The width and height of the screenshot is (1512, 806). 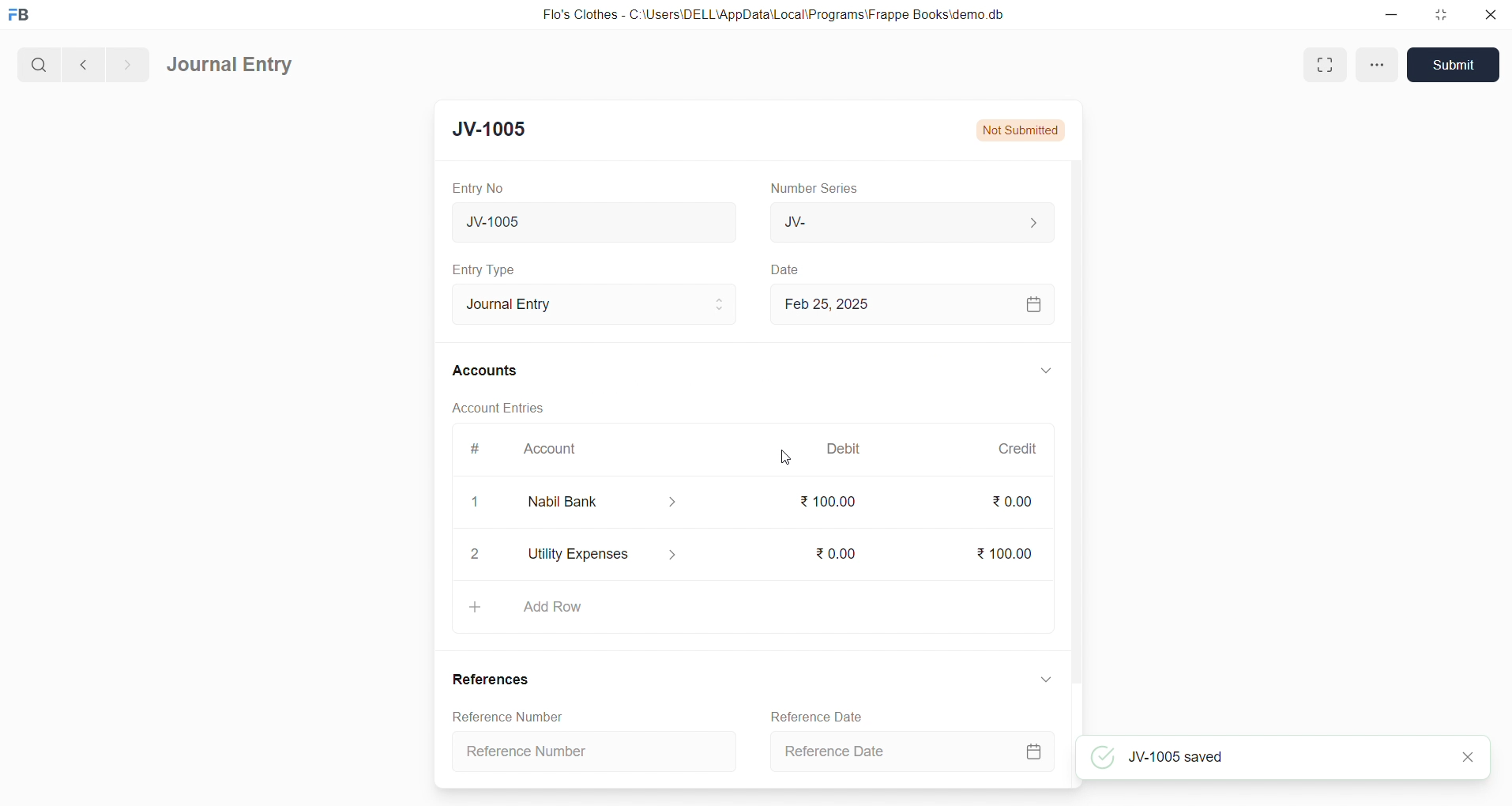 I want to click on Add Row, so click(x=750, y=607).